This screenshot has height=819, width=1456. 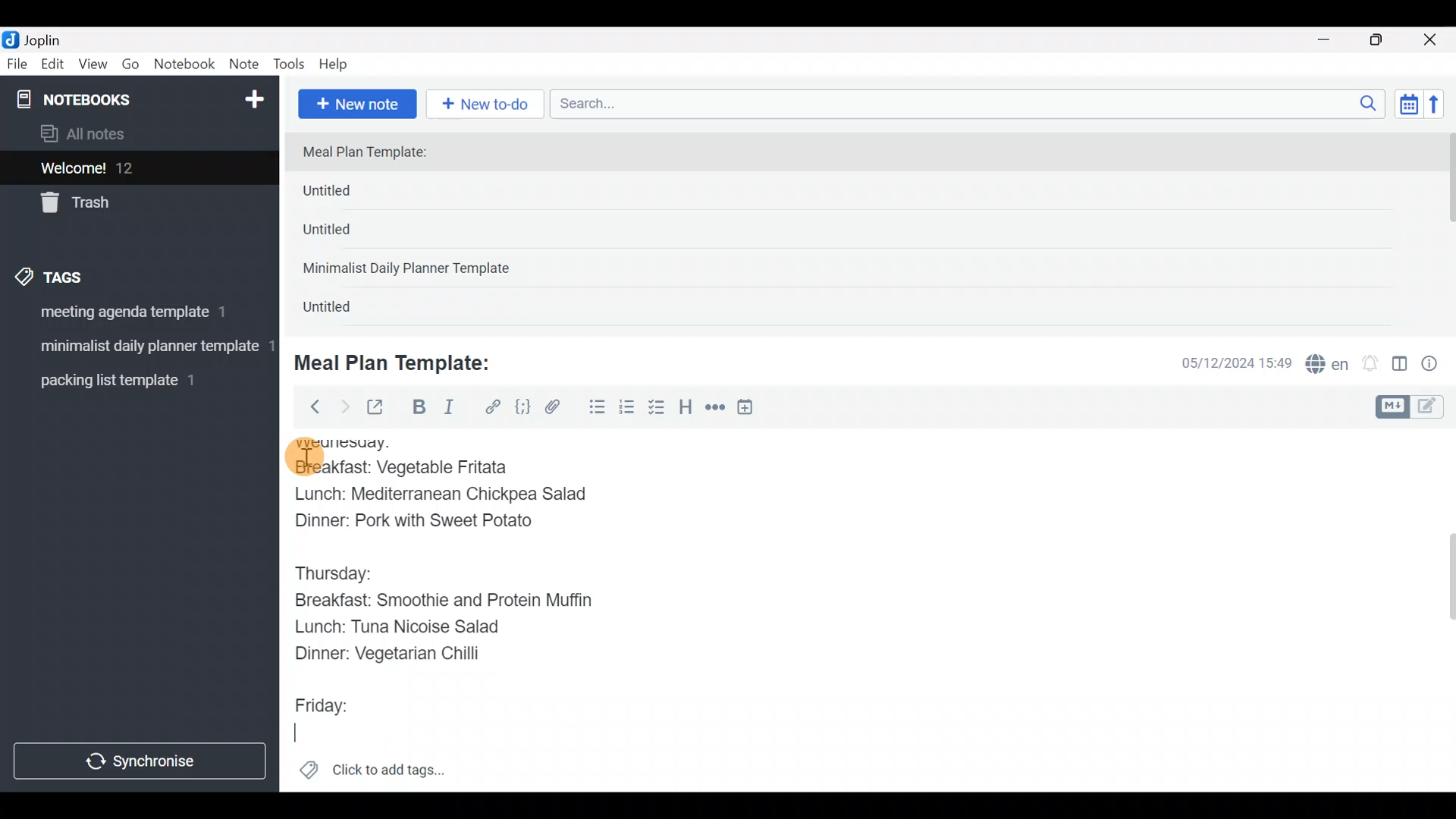 What do you see at coordinates (142, 761) in the screenshot?
I see `Synchronize` at bounding box center [142, 761].